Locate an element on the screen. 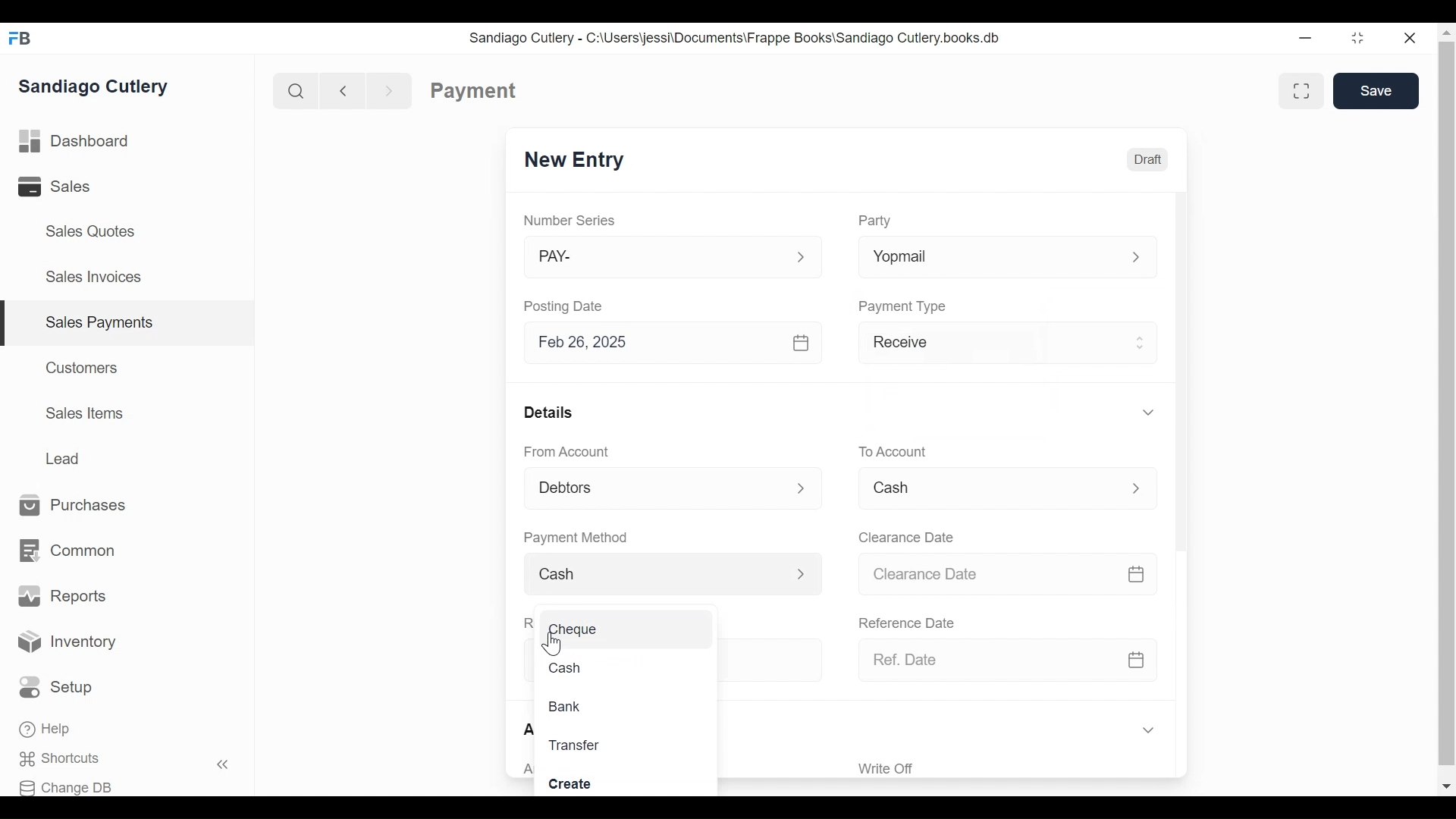 This screenshot has width=1456, height=819. Help is located at coordinates (47, 730).